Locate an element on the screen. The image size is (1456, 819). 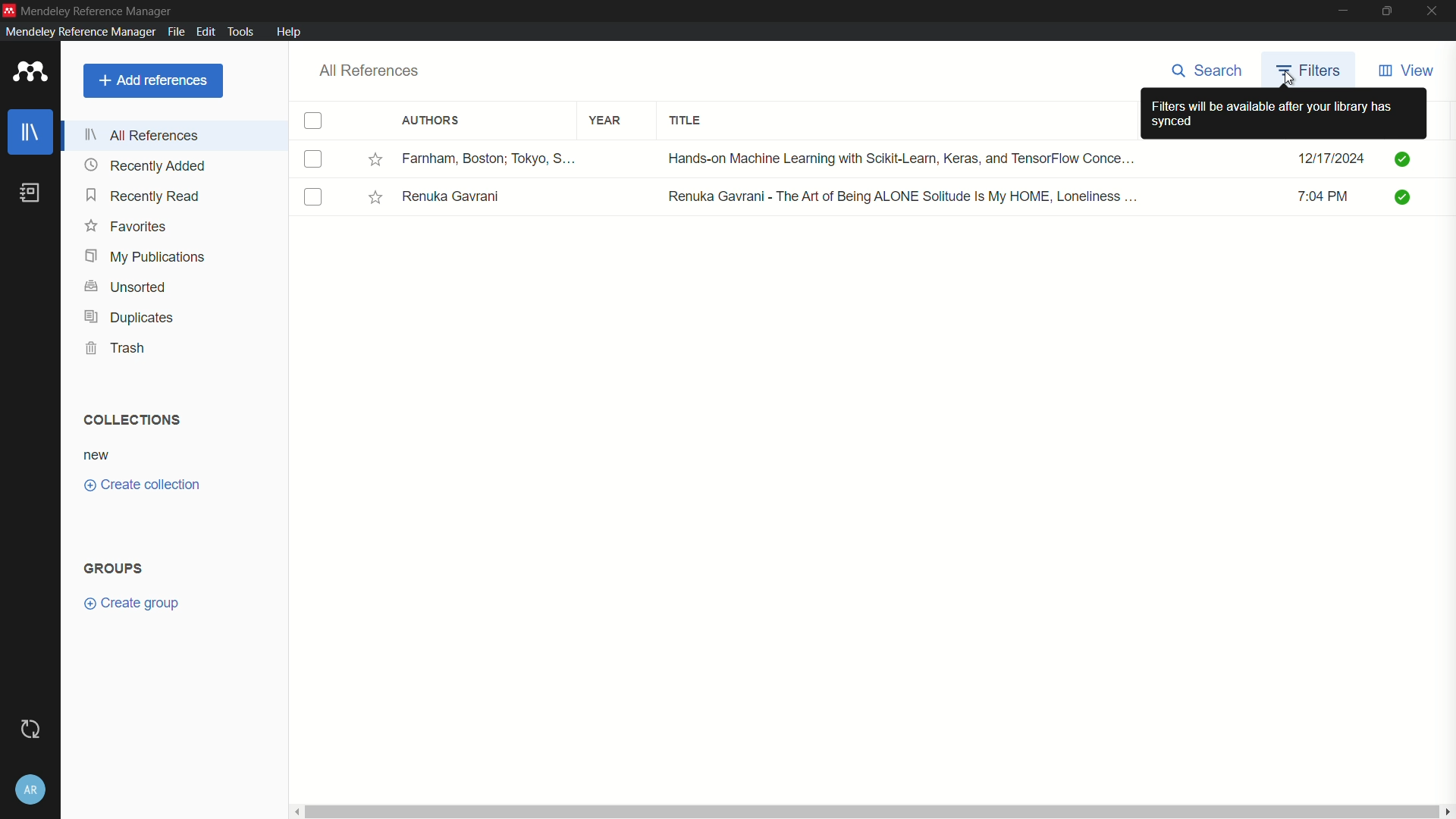
check box is located at coordinates (313, 121).